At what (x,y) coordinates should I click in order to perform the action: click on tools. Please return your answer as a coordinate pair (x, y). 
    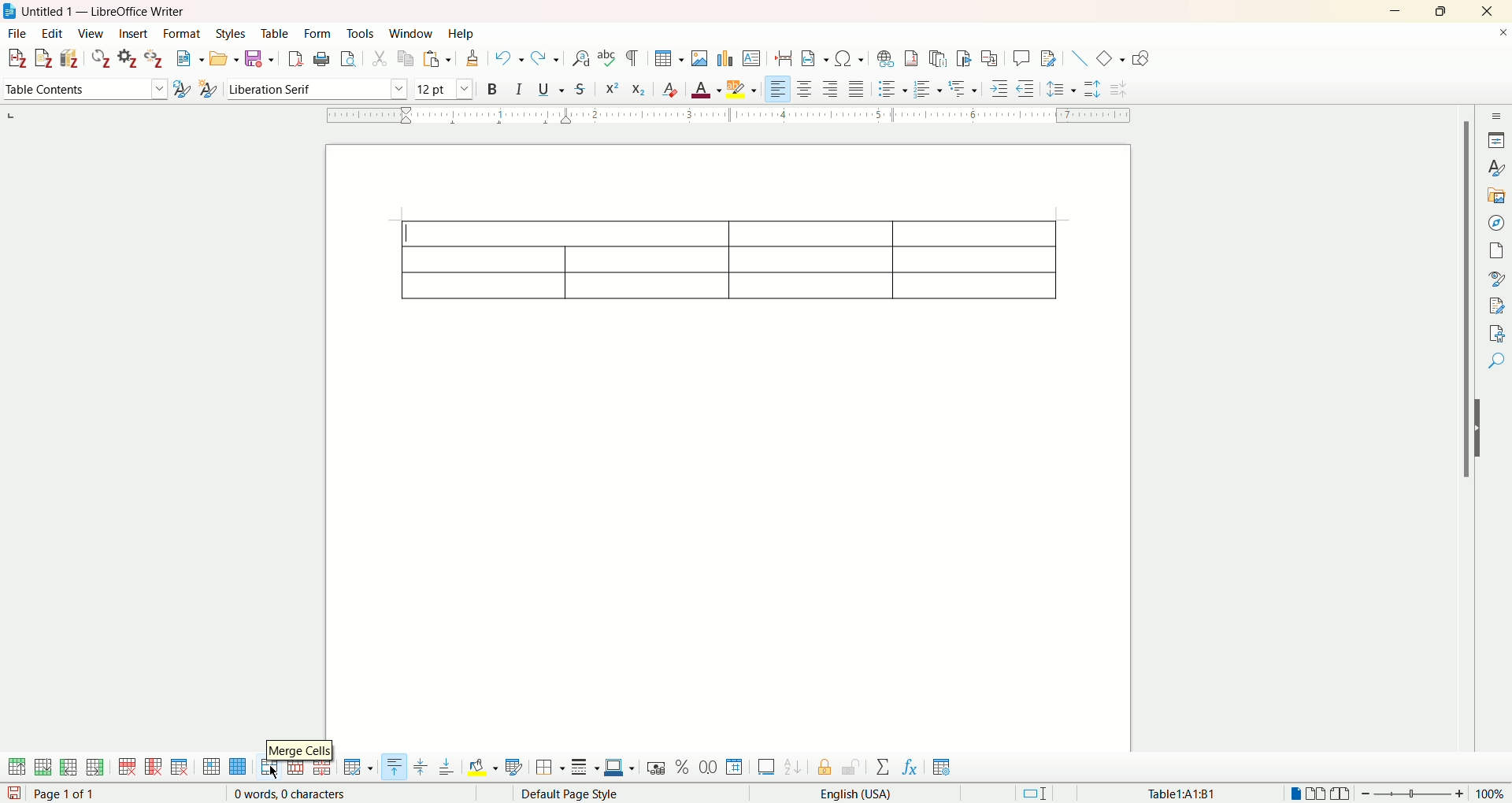
    Looking at the image, I should click on (361, 33).